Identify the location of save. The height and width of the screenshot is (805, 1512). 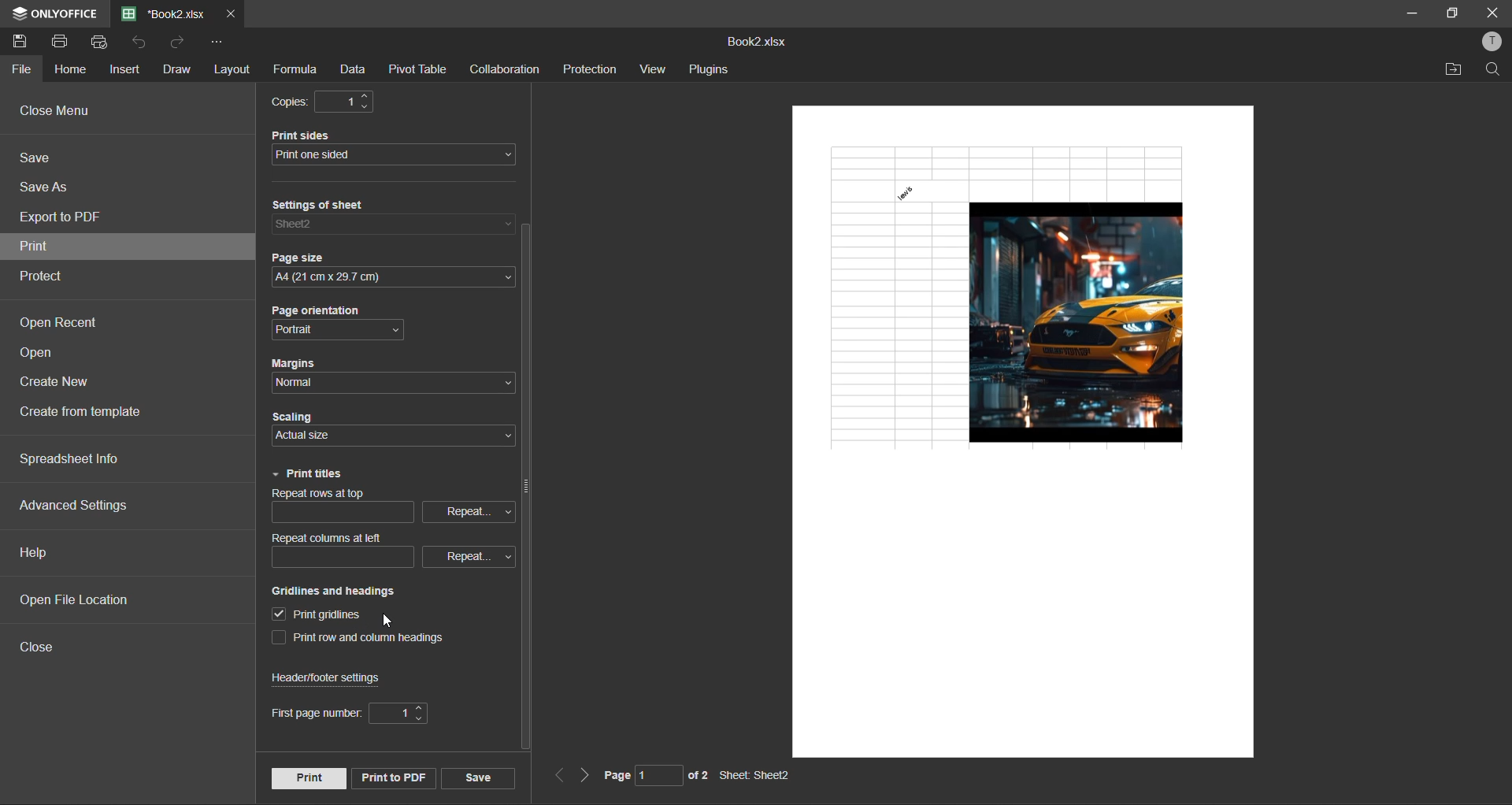
(39, 157).